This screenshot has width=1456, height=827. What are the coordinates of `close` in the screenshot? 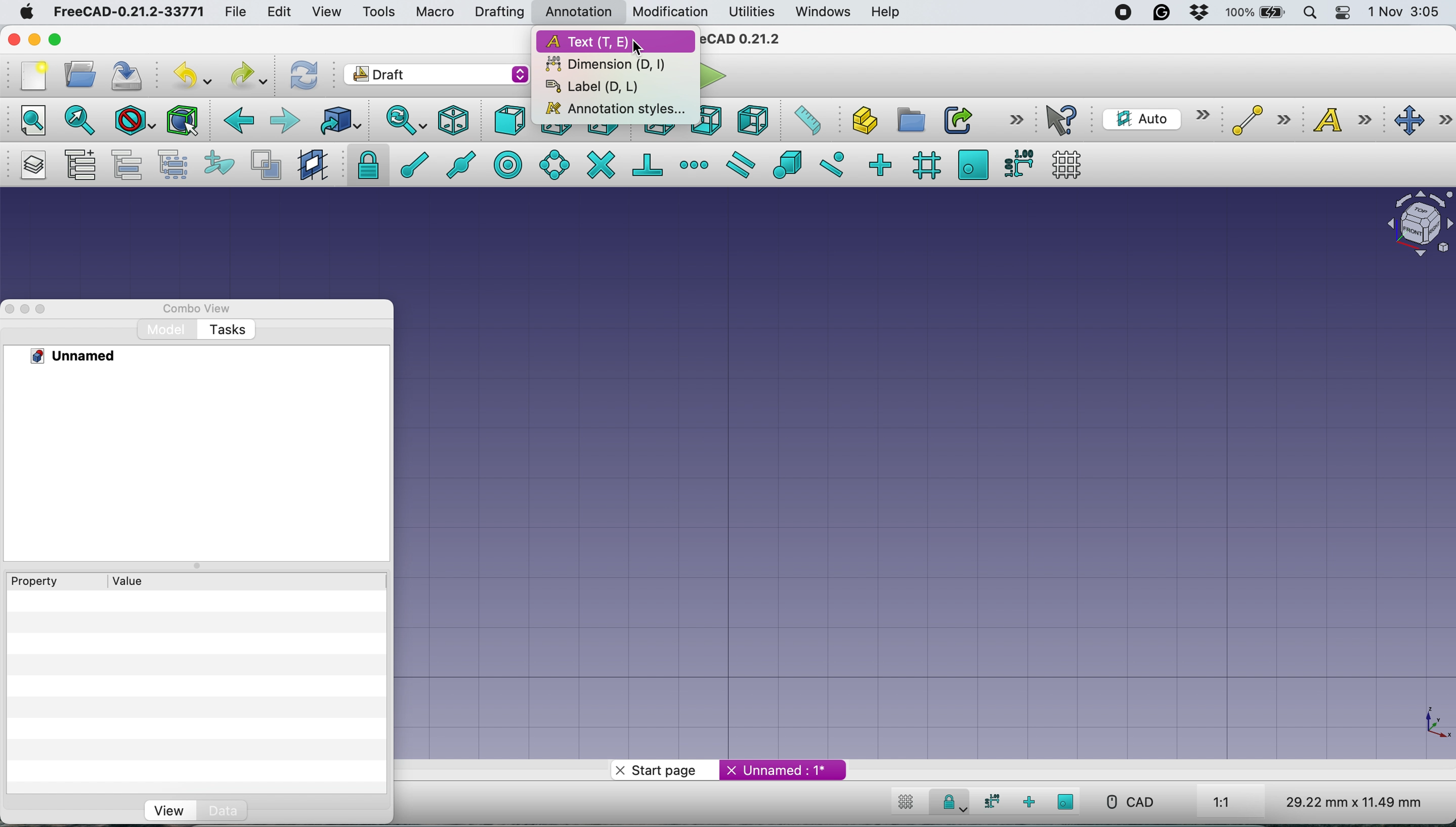 It's located at (13, 39).